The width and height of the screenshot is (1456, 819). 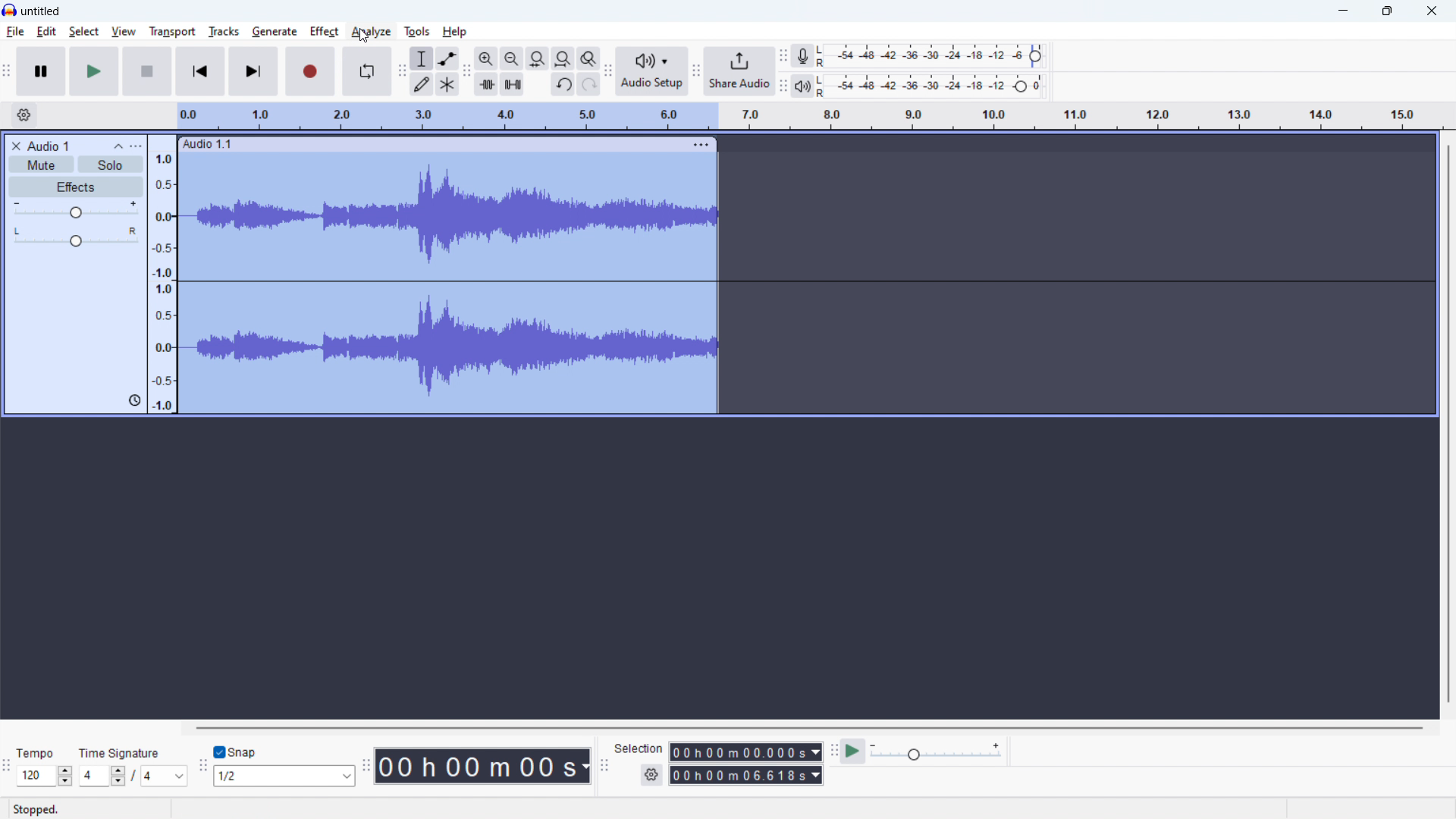 What do you see at coordinates (563, 58) in the screenshot?
I see `fit project to width` at bounding box center [563, 58].